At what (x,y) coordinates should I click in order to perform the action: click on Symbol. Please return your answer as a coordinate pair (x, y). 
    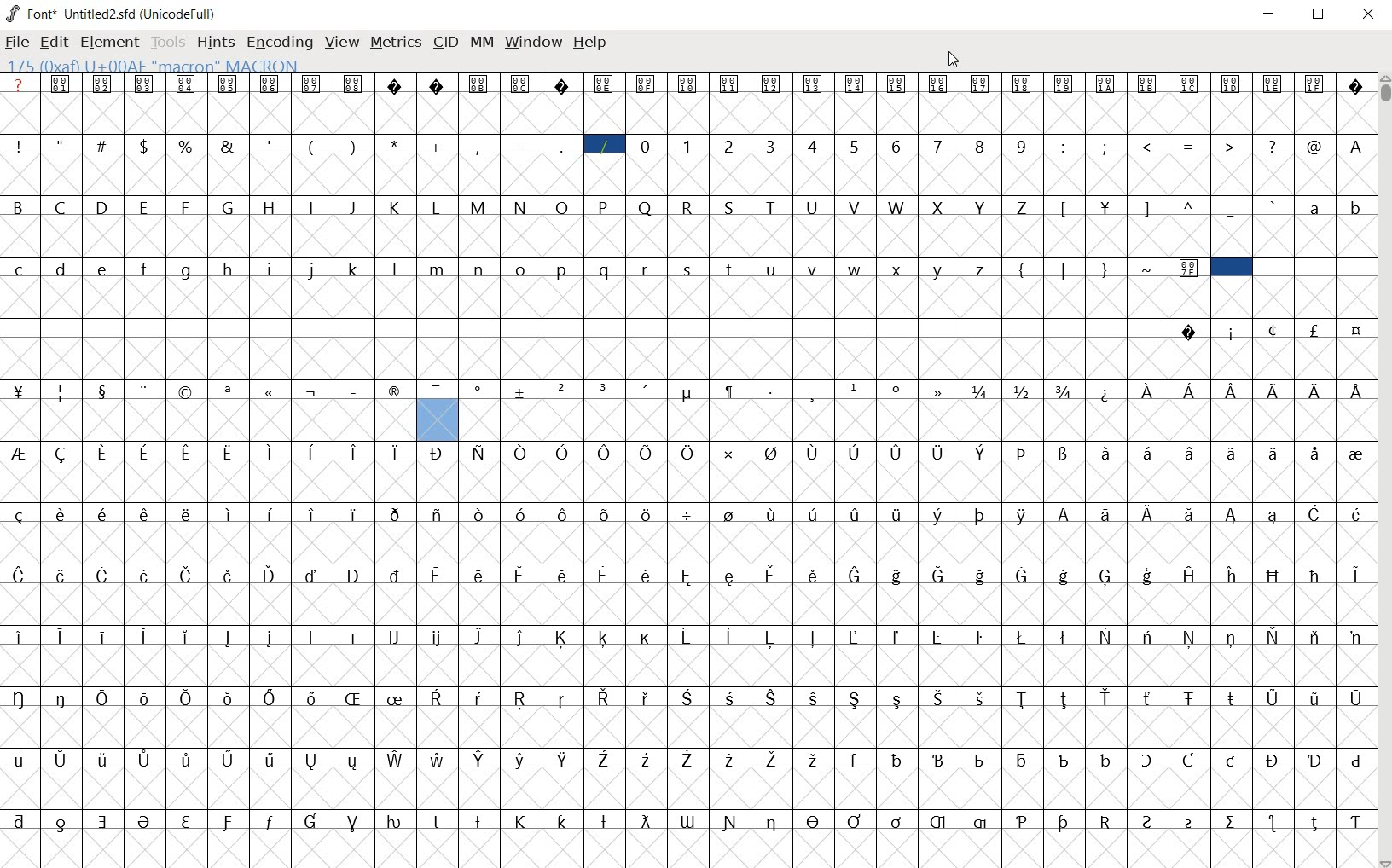
    Looking at the image, I should click on (858, 84).